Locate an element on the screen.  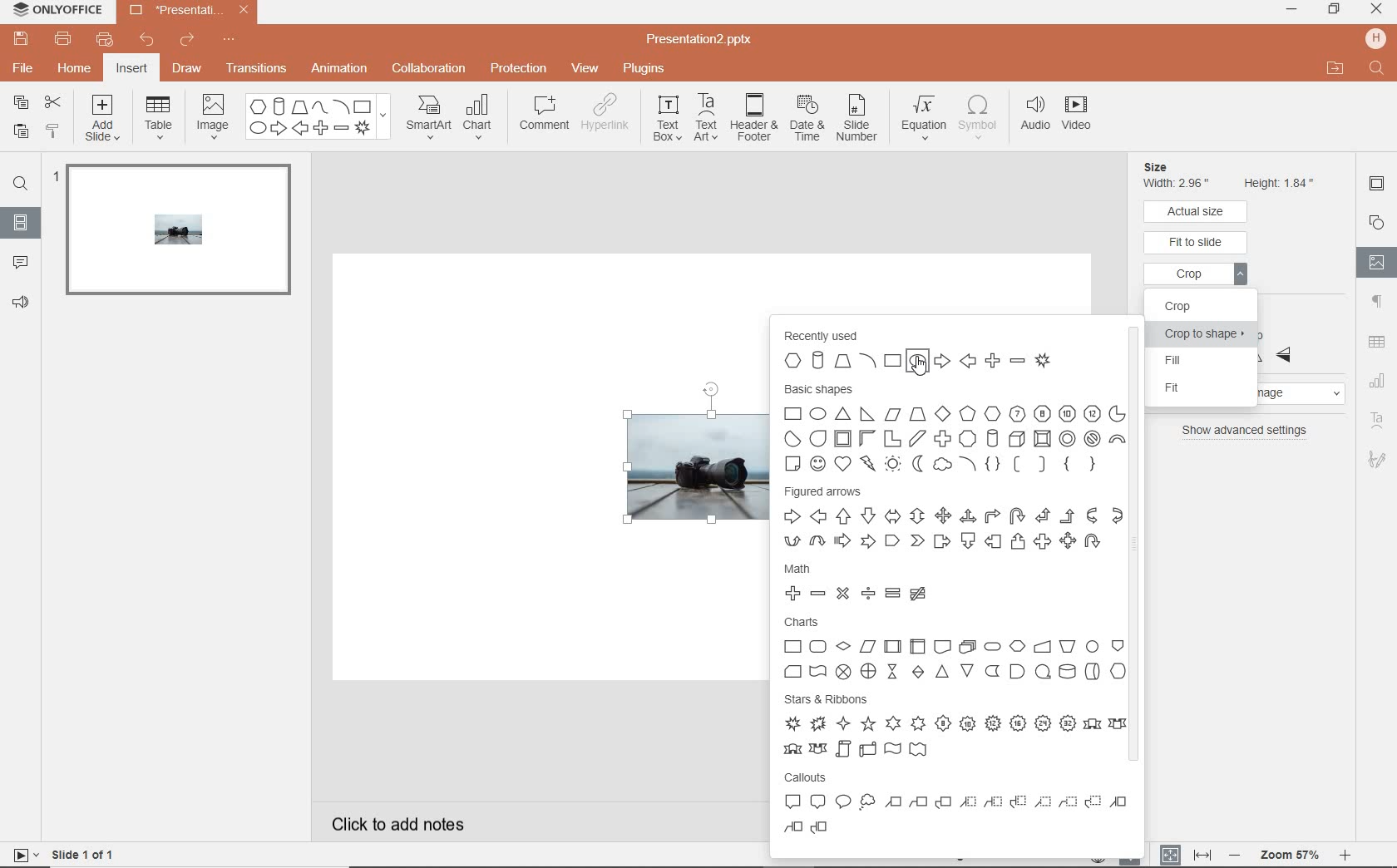
comment is located at coordinates (545, 116).